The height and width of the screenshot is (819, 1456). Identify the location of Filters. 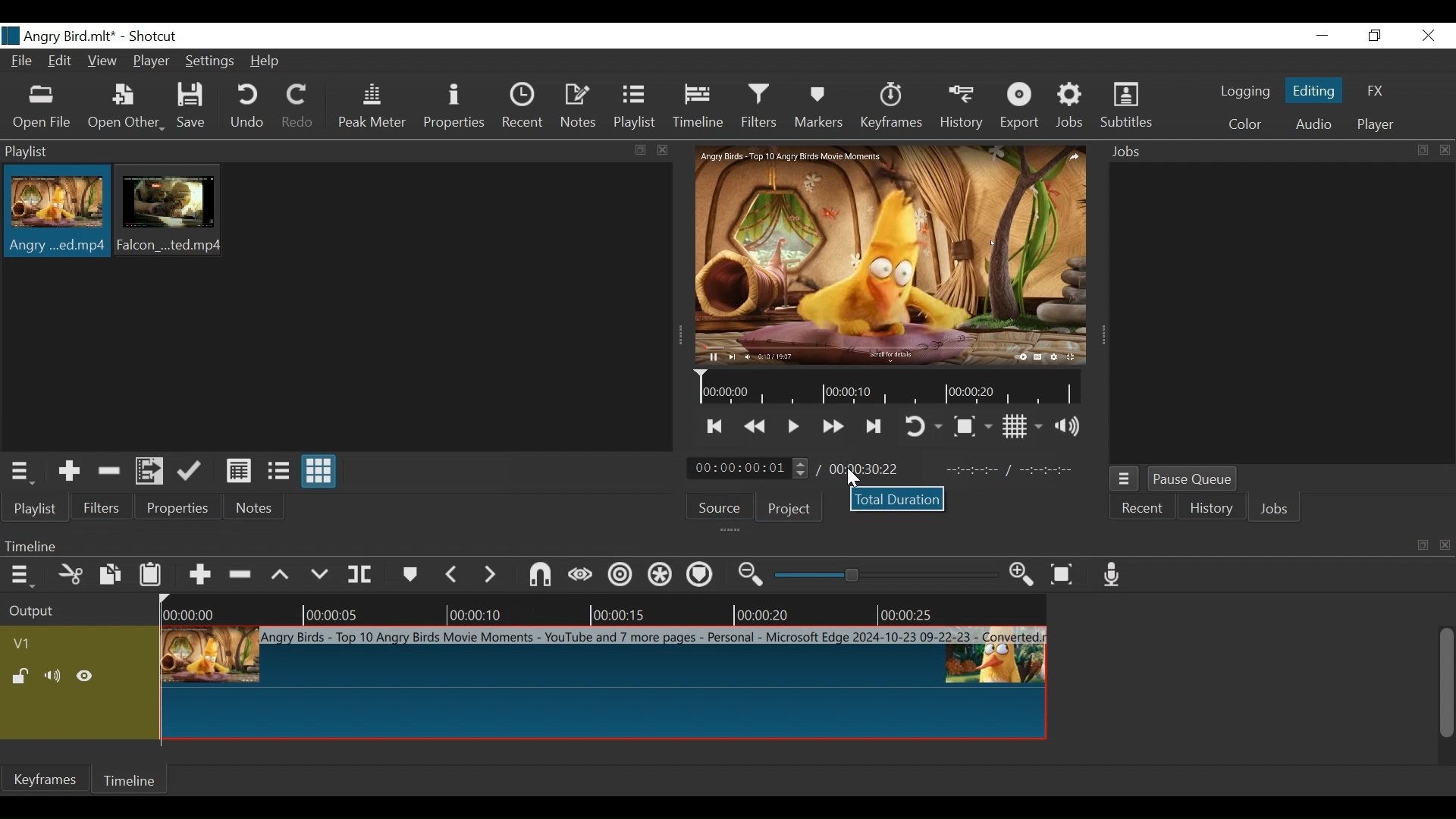
(761, 107).